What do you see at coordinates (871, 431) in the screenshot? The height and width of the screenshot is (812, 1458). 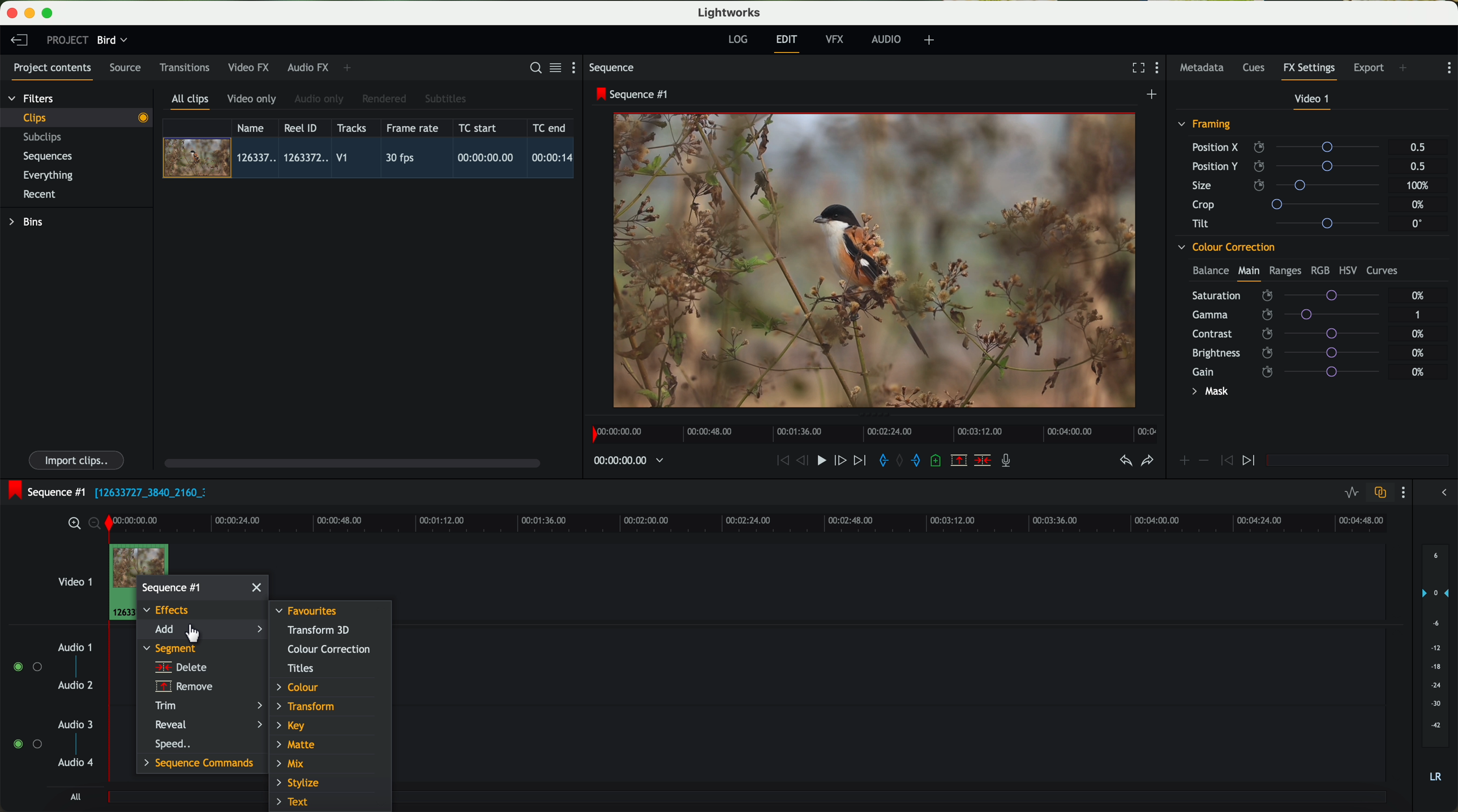 I see `timeline` at bounding box center [871, 431].